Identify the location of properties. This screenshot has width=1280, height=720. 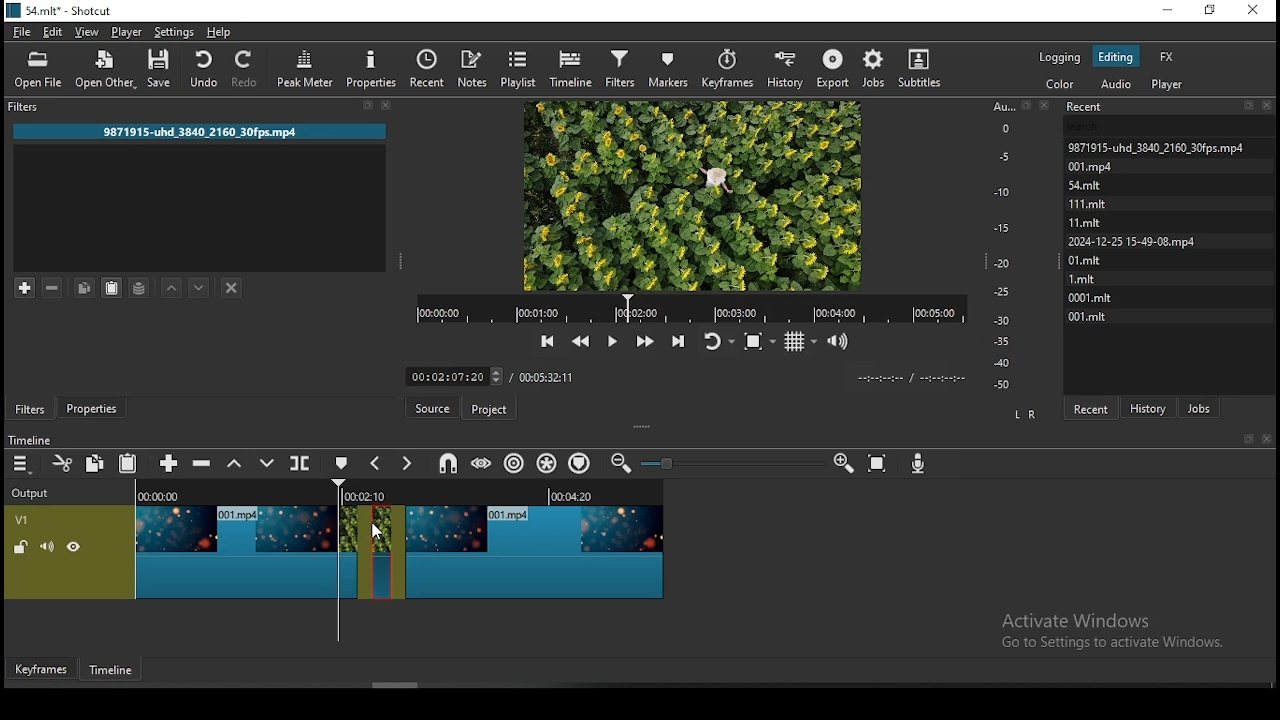
(372, 68).